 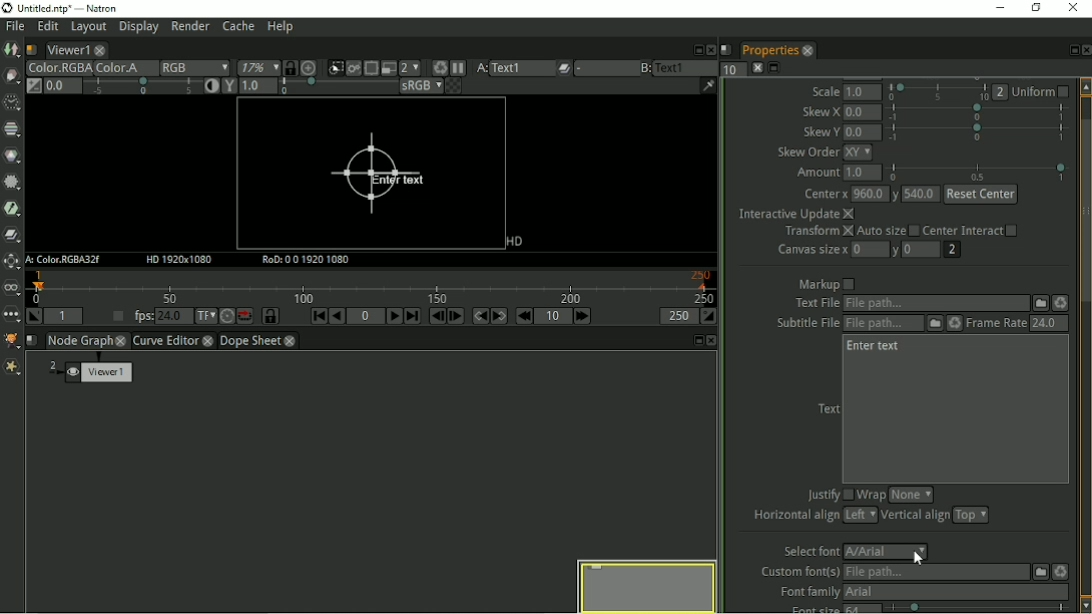 What do you see at coordinates (124, 68) in the screenshot?
I see `Color.A` at bounding box center [124, 68].